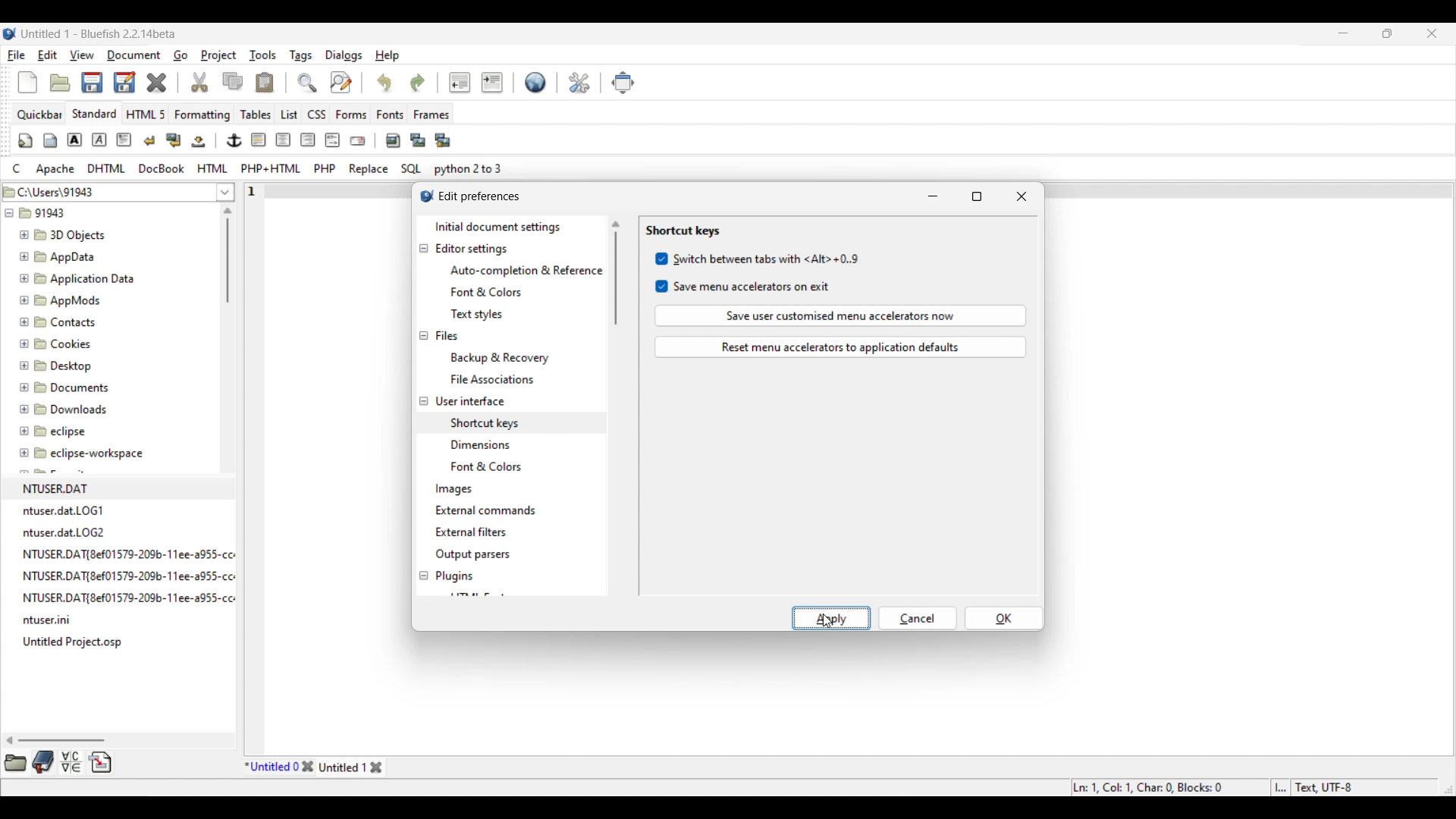  What do you see at coordinates (455, 576) in the screenshot?
I see `Plugins` at bounding box center [455, 576].